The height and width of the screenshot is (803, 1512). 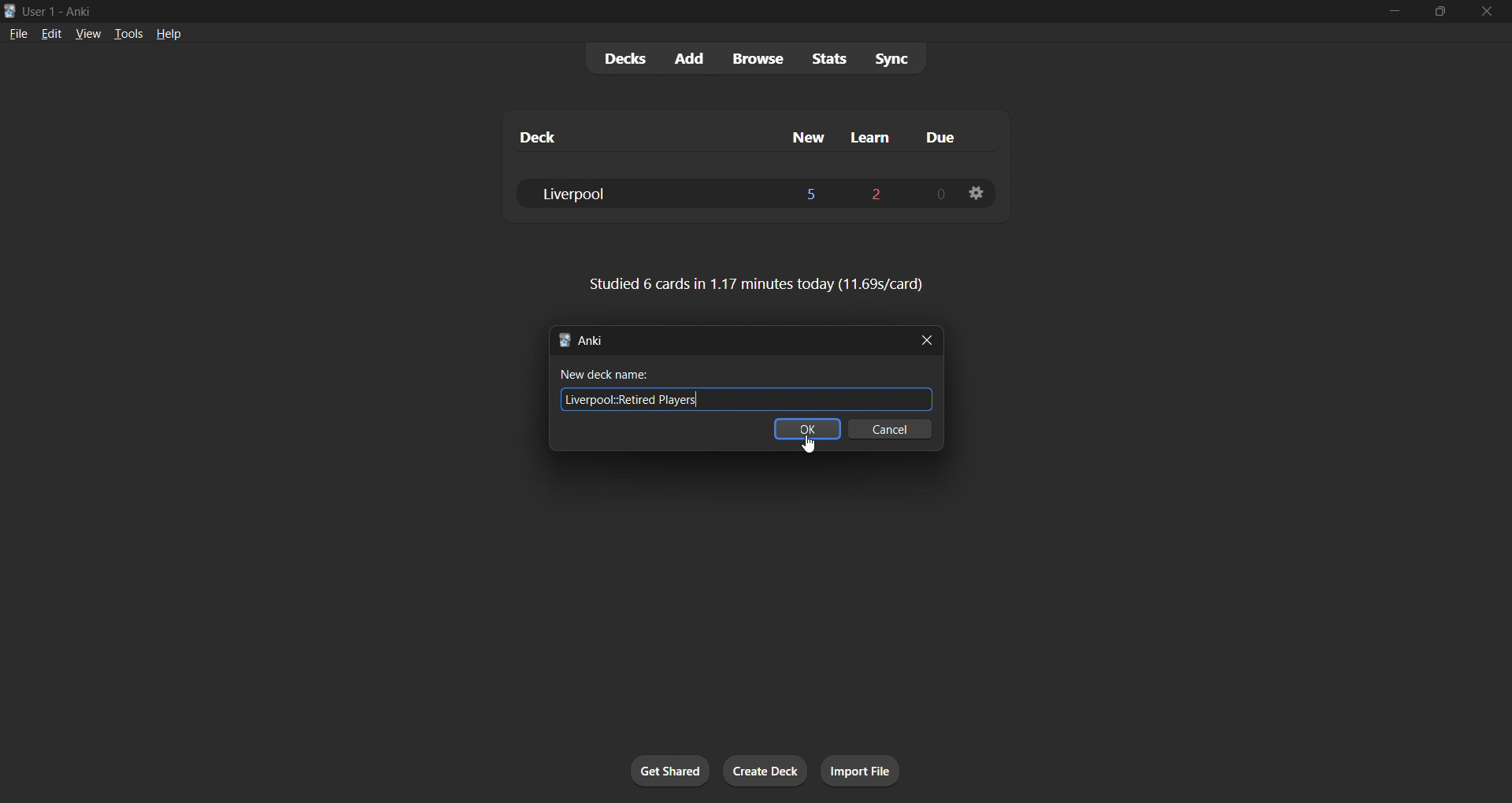 I want to click on close, so click(x=929, y=340).